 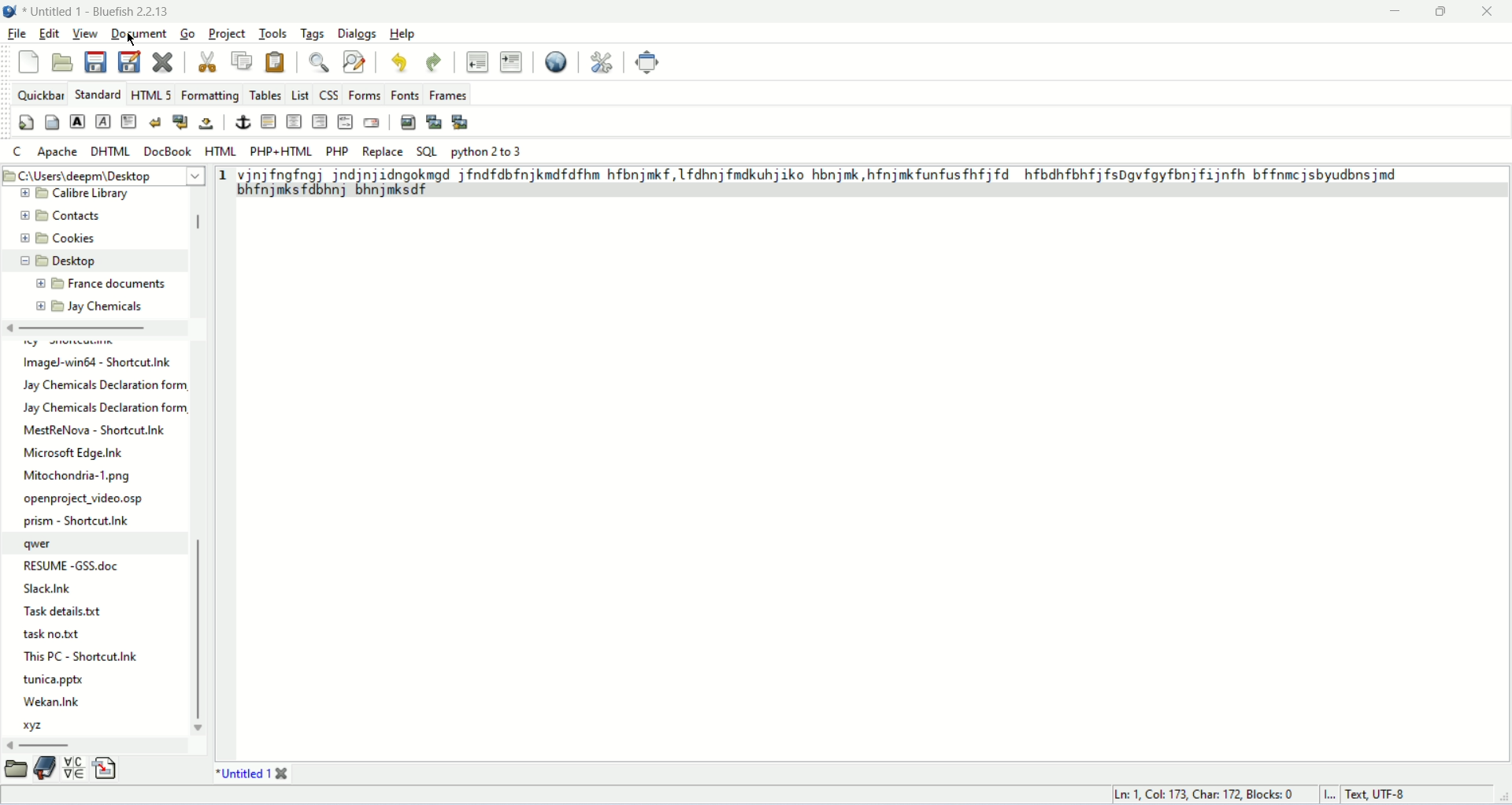 What do you see at coordinates (487, 151) in the screenshot?
I see `python 2 to 3` at bounding box center [487, 151].